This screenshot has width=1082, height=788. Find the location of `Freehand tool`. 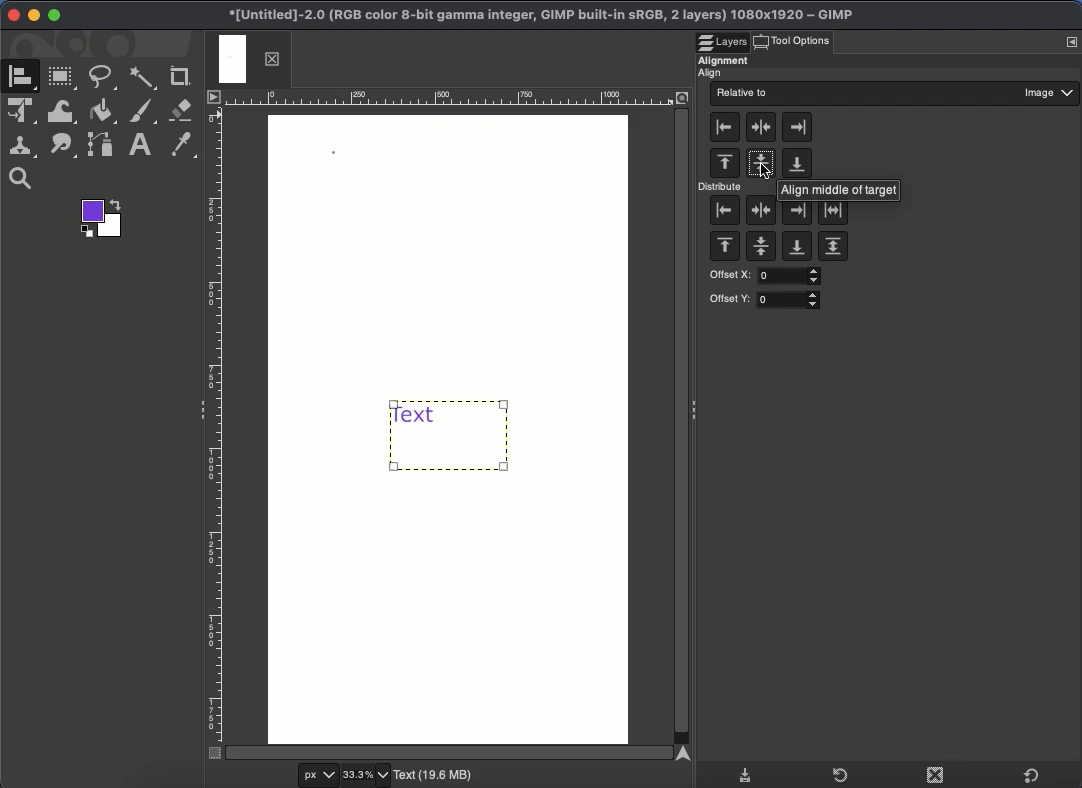

Freehand tool is located at coordinates (104, 79).